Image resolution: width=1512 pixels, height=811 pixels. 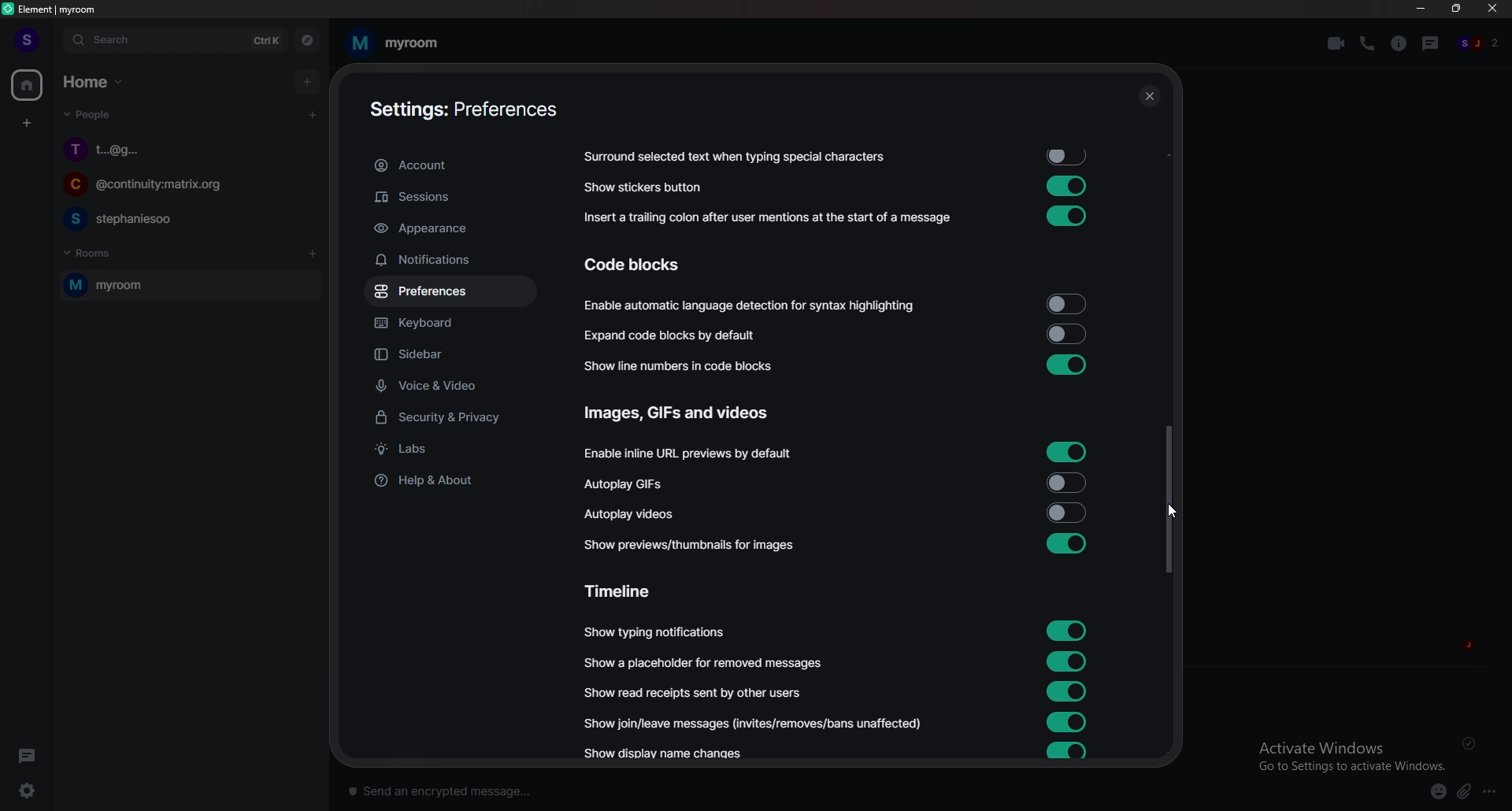 I want to click on Rooms, so click(x=91, y=251).